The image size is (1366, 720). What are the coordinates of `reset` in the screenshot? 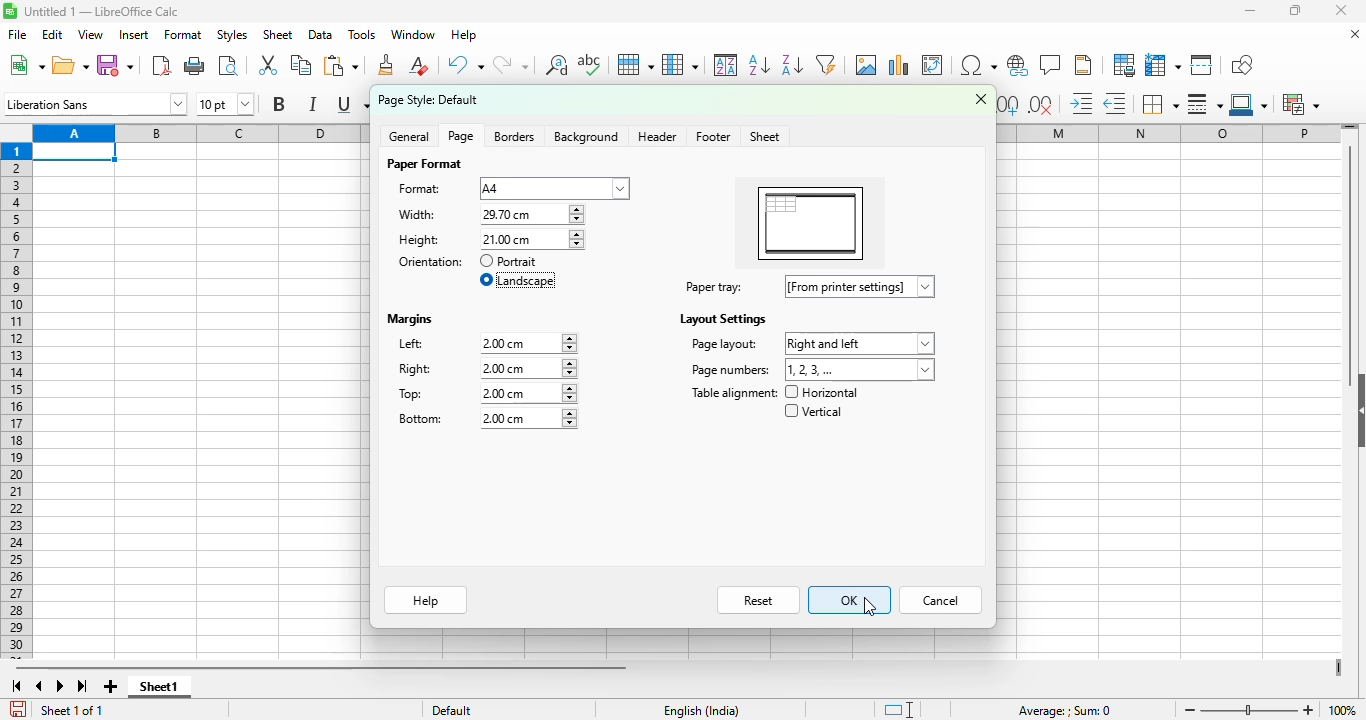 It's located at (759, 600).